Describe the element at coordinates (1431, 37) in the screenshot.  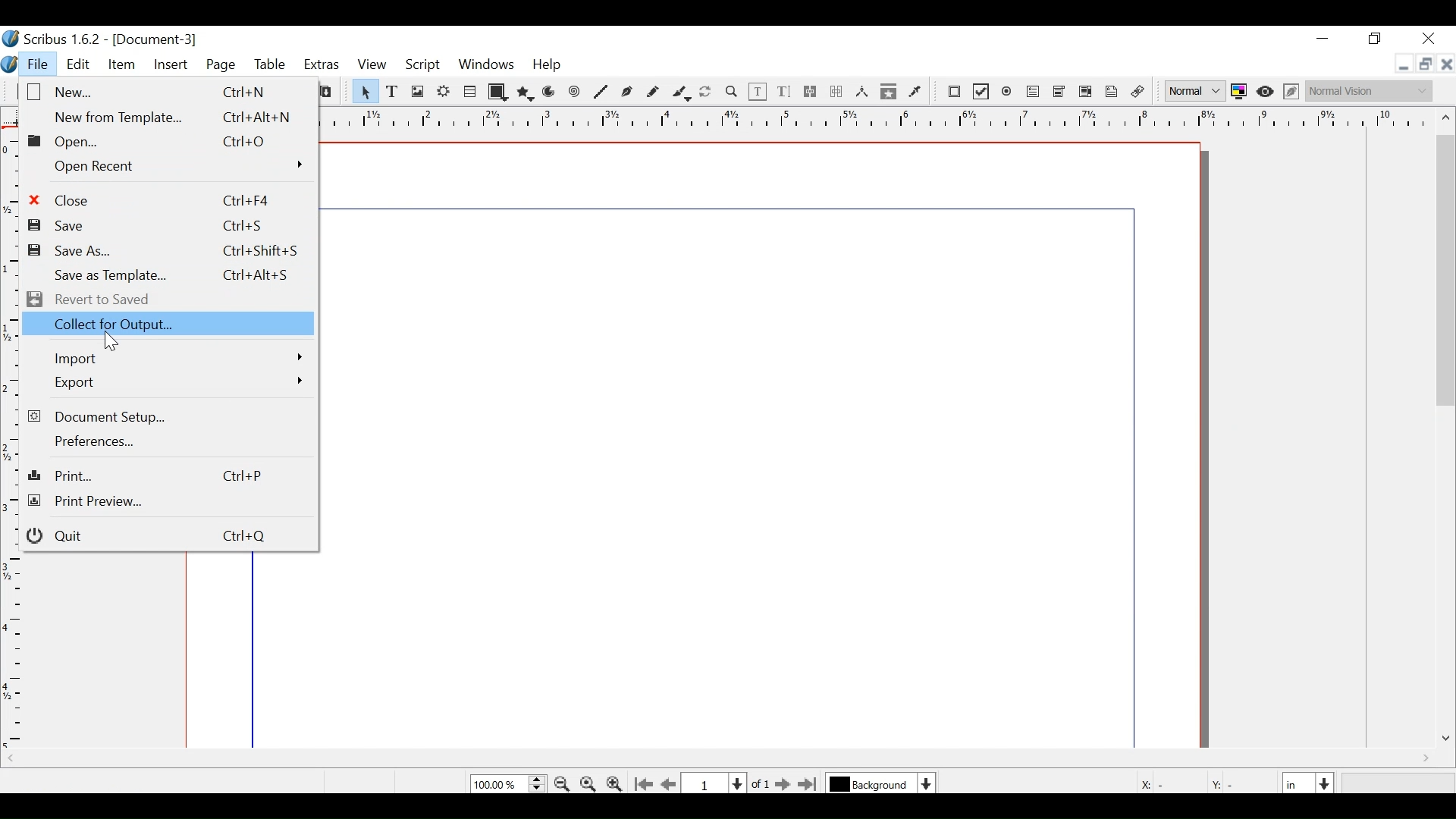
I see `Close` at that location.